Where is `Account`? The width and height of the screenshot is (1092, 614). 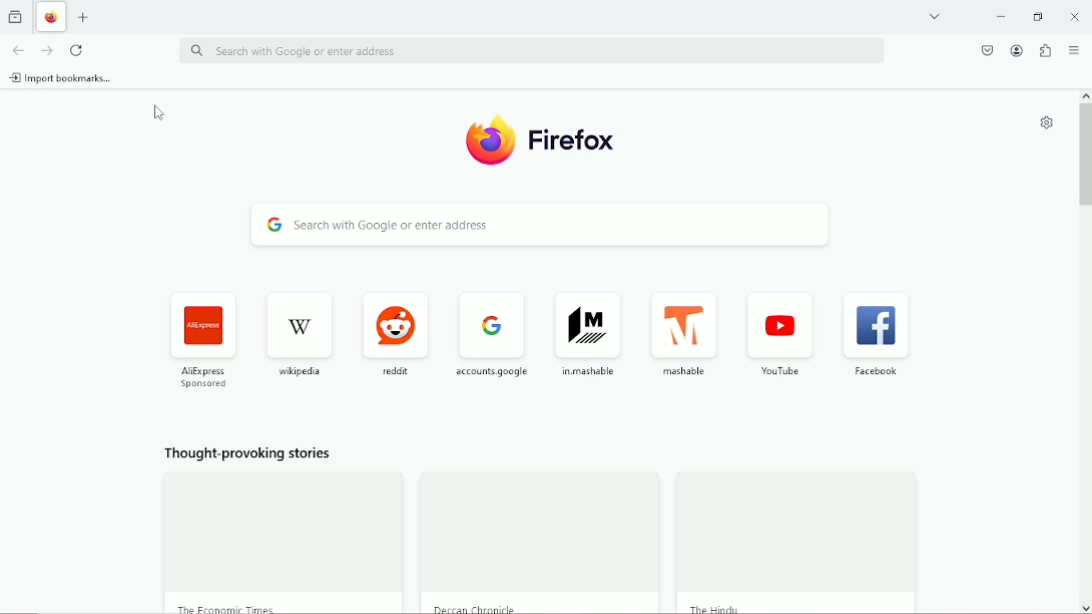 Account is located at coordinates (1016, 51).